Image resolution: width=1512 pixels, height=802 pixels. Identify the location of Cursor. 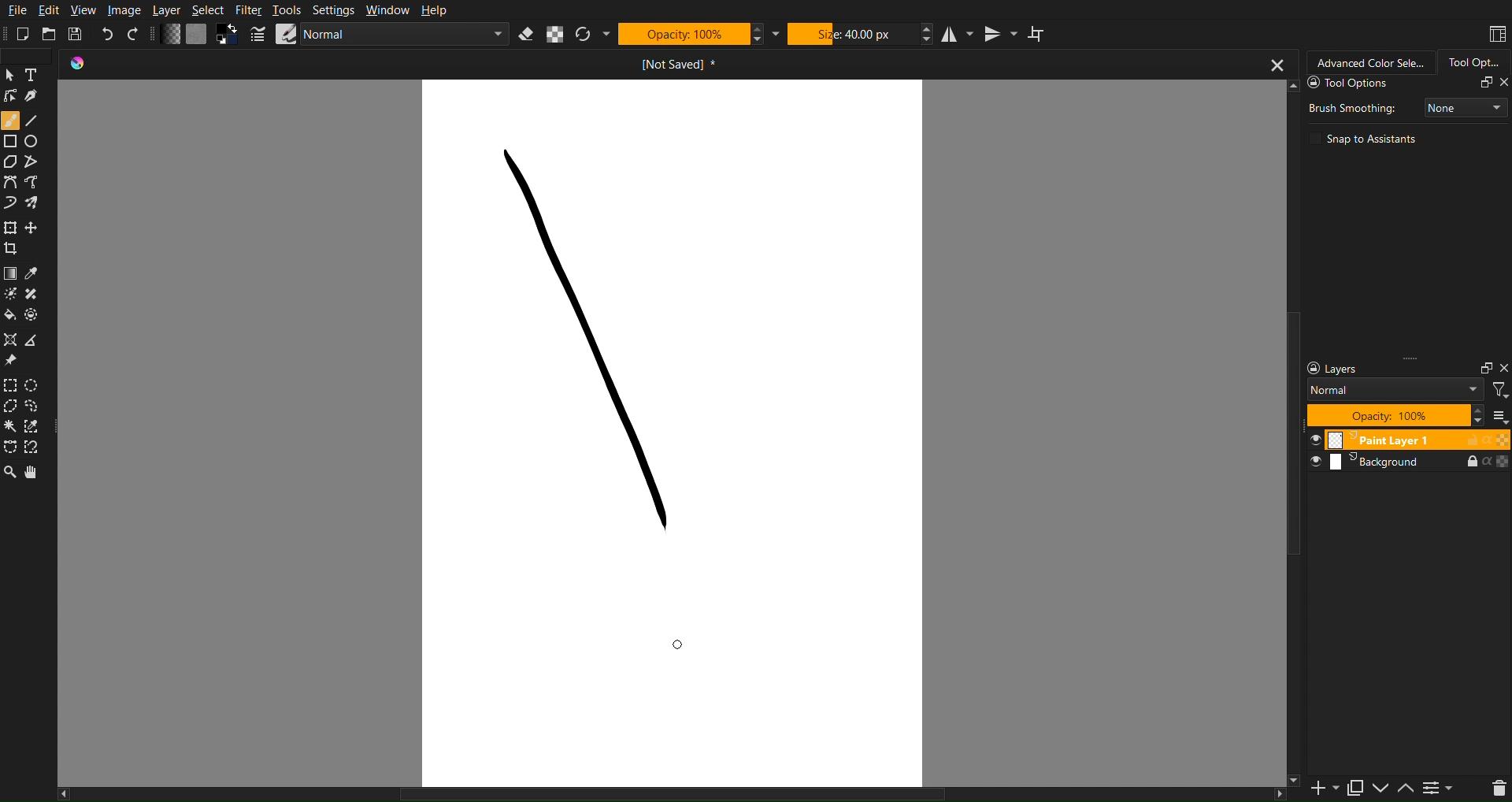
(680, 645).